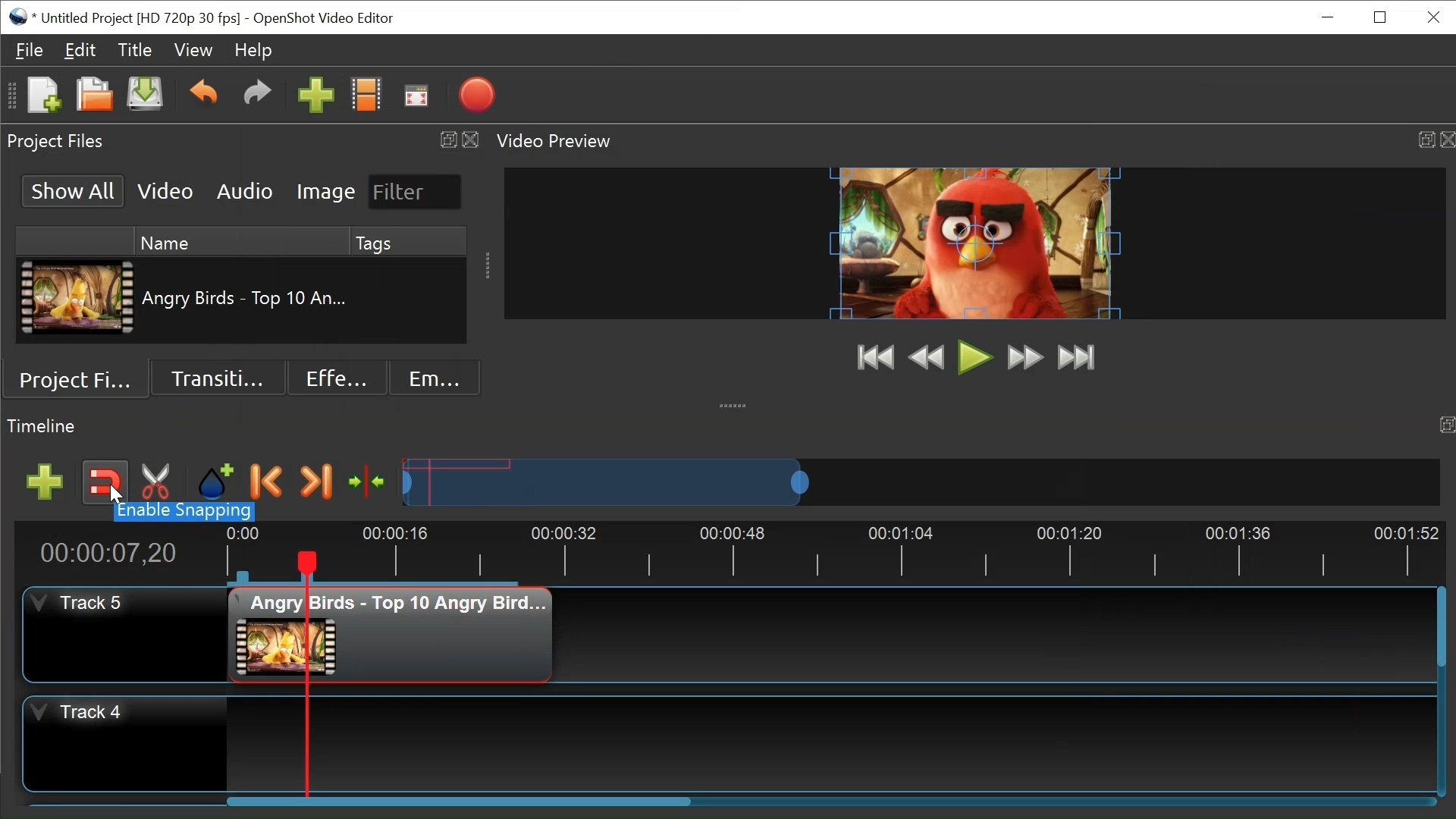 The height and width of the screenshot is (819, 1456). What do you see at coordinates (116, 494) in the screenshot?
I see `cursor` at bounding box center [116, 494].